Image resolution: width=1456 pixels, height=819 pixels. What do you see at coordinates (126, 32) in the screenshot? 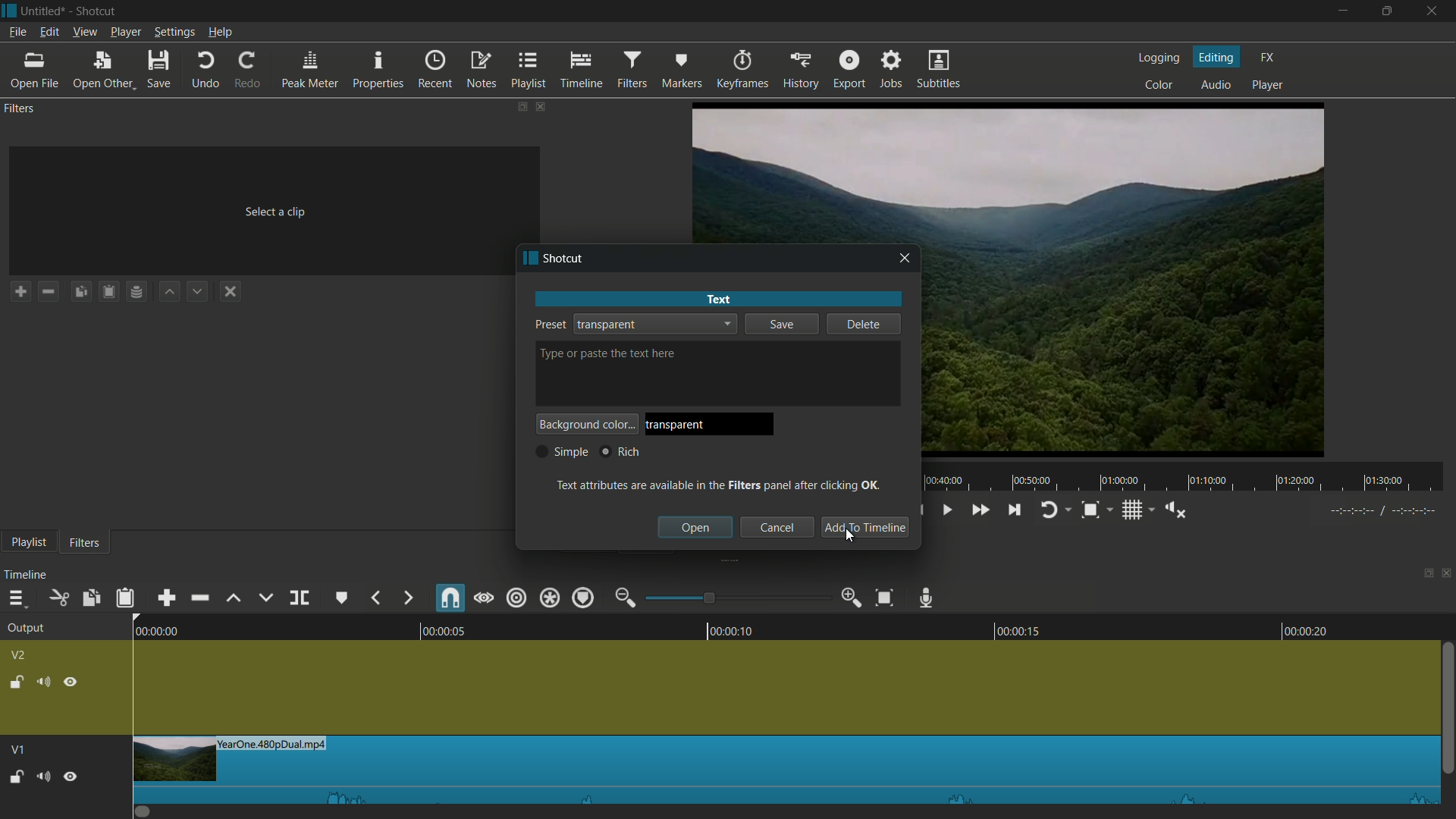
I see `player menu` at bounding box center [126, 32].